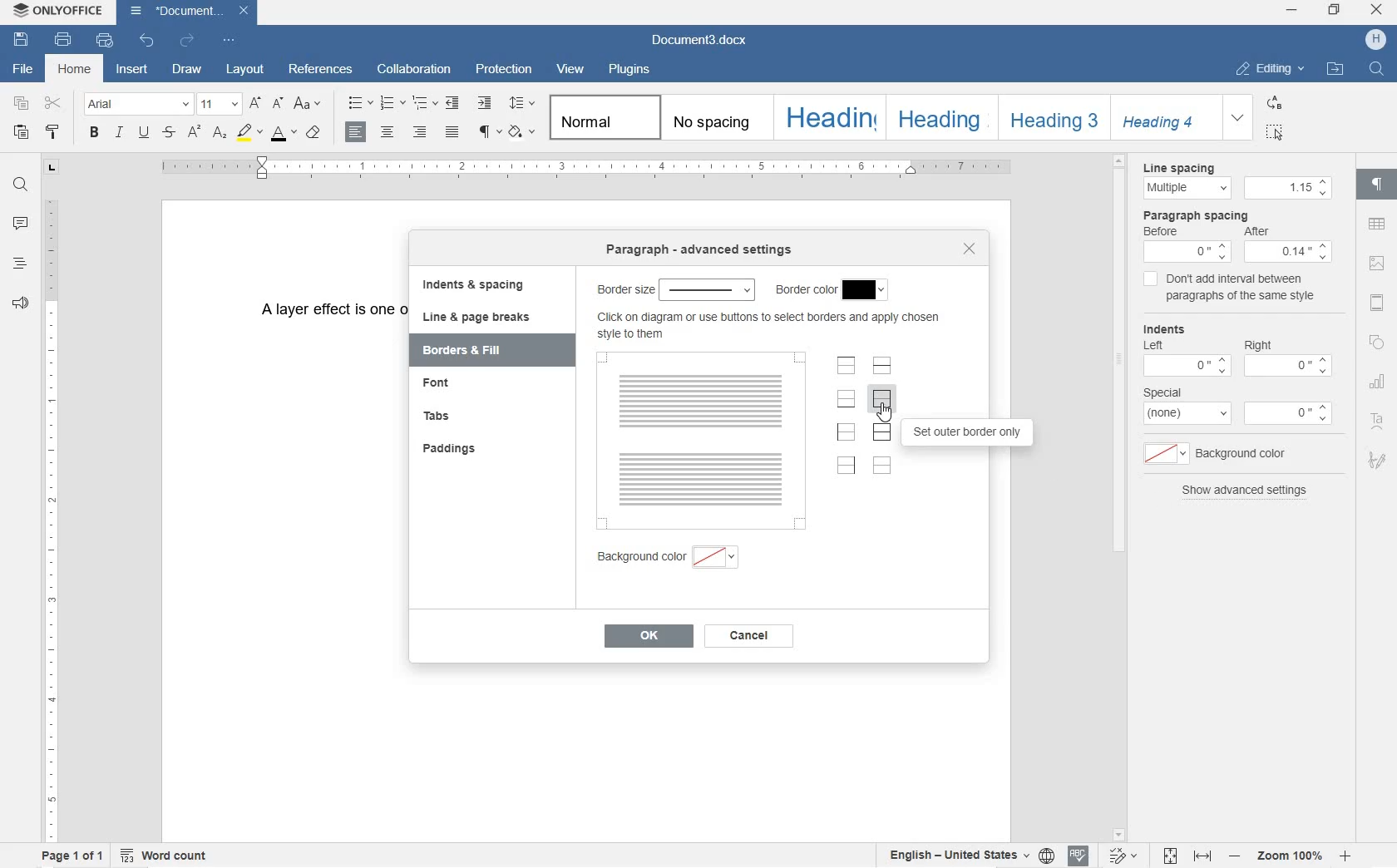  Describe the element at coordinates (972, 435) in the screenshot. I see `set outer border only` at that location.